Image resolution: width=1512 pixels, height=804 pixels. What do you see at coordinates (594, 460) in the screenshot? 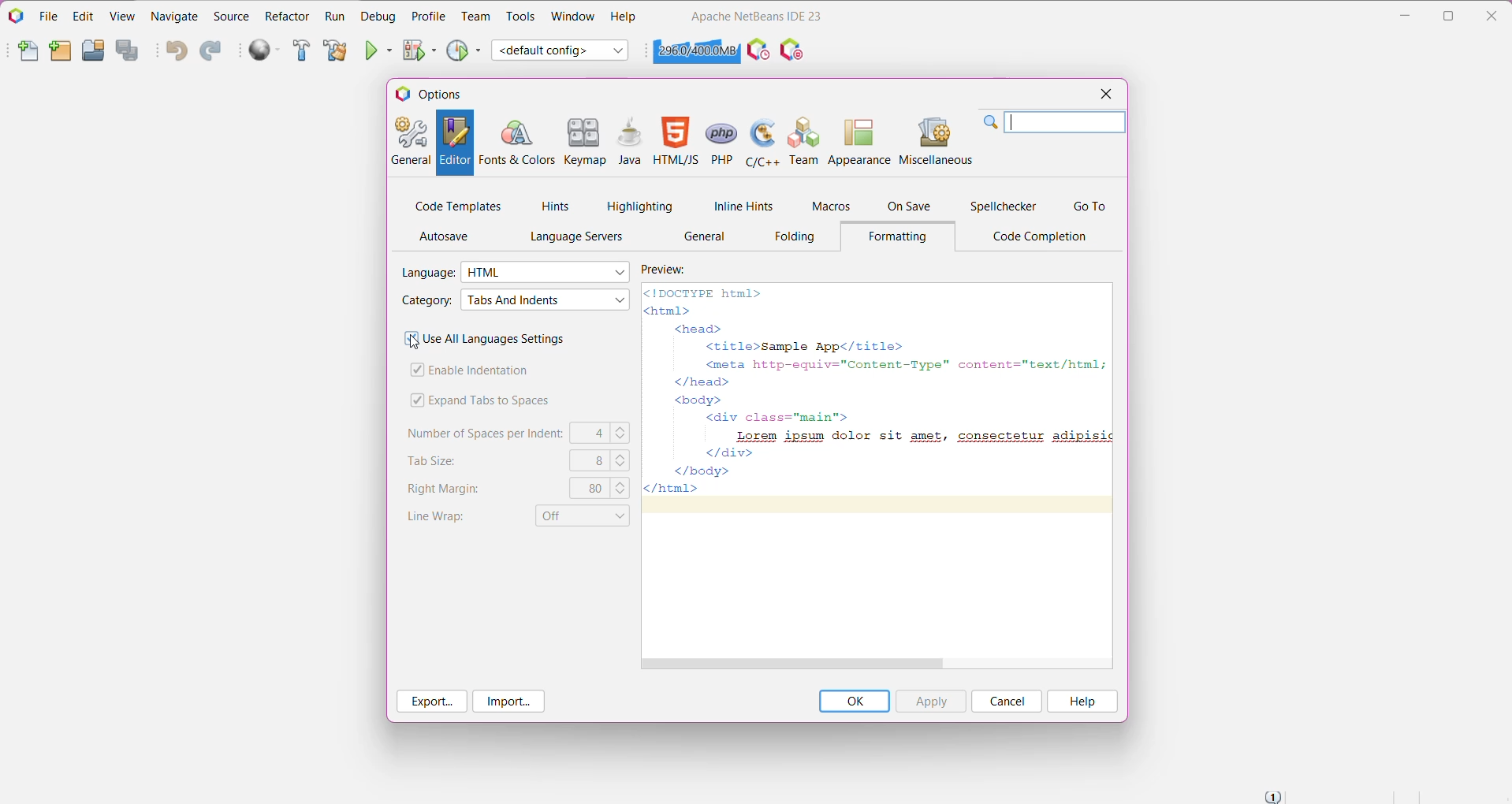
I see `8` at bounding box center [594, 460].